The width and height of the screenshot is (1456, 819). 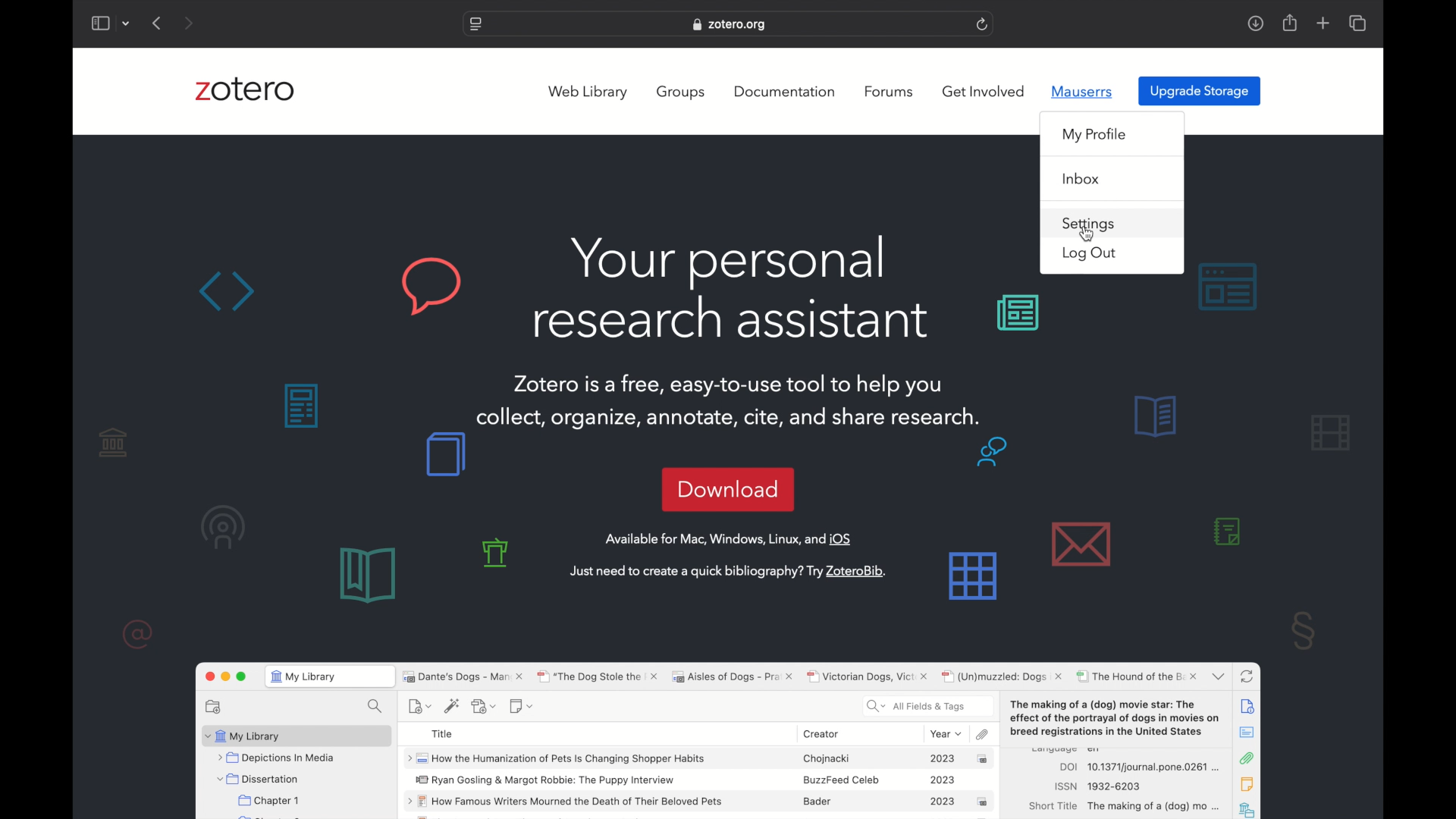 What do you see at coordinates (1082, 179) in the screenshot?
I see `inbox` at bounding box center [1082, 179].